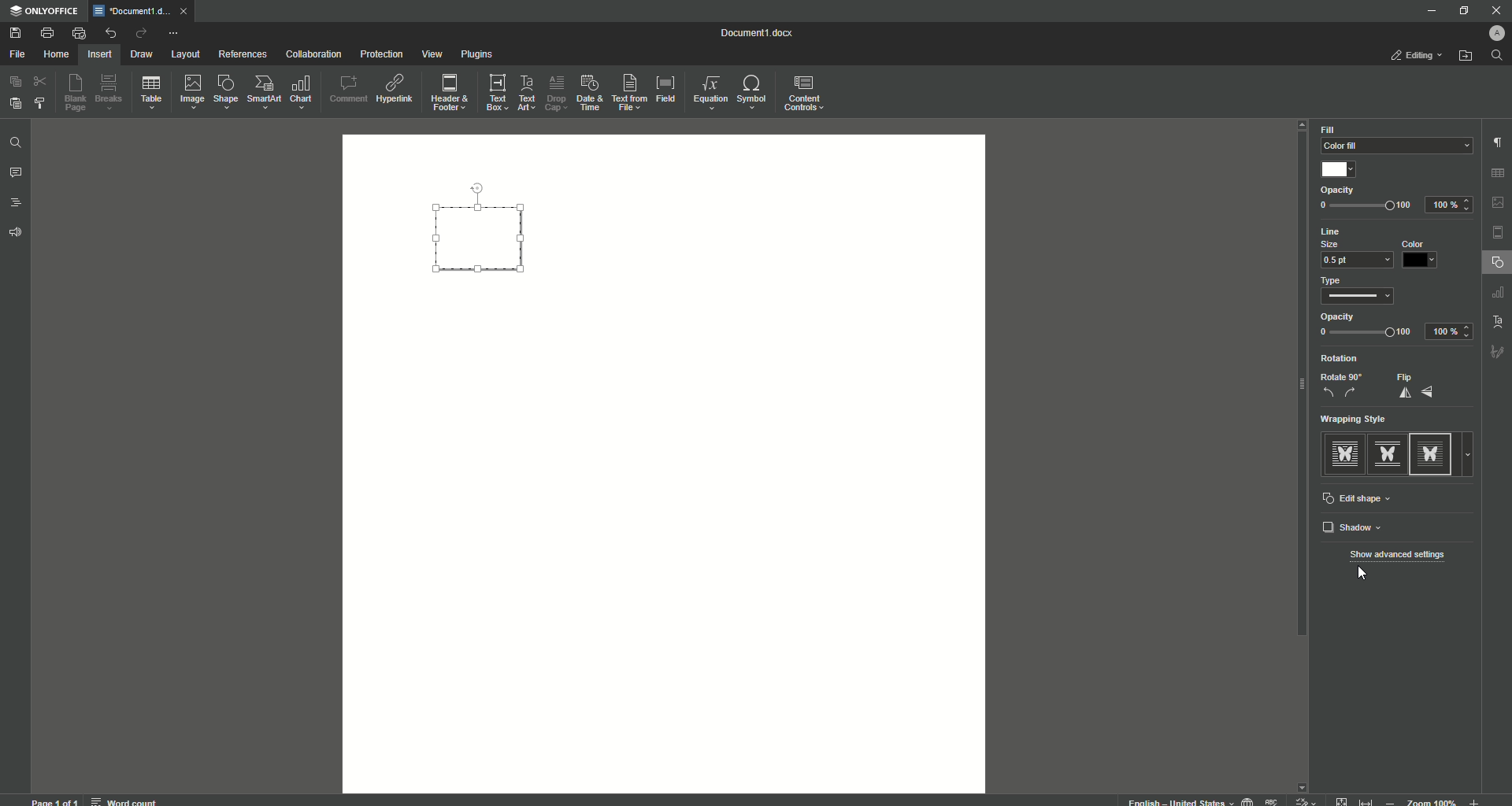 The height and width of the screenshot is (806, 1512). What do you see at coordinates (1424, 254) in the screenshot?
I see `Black  Color` at bounding box center [1424, 254].